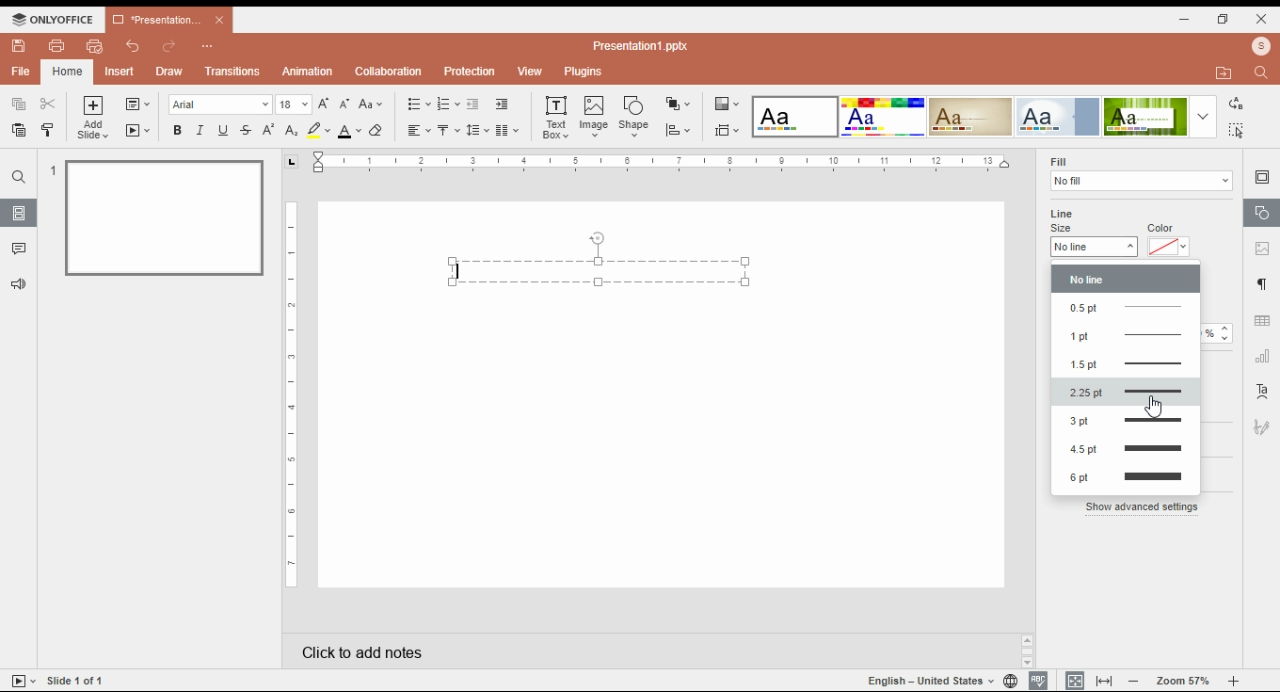 This screenshot has width=1280, height=692. I want to click on scrollbar, so click(1028, 652).